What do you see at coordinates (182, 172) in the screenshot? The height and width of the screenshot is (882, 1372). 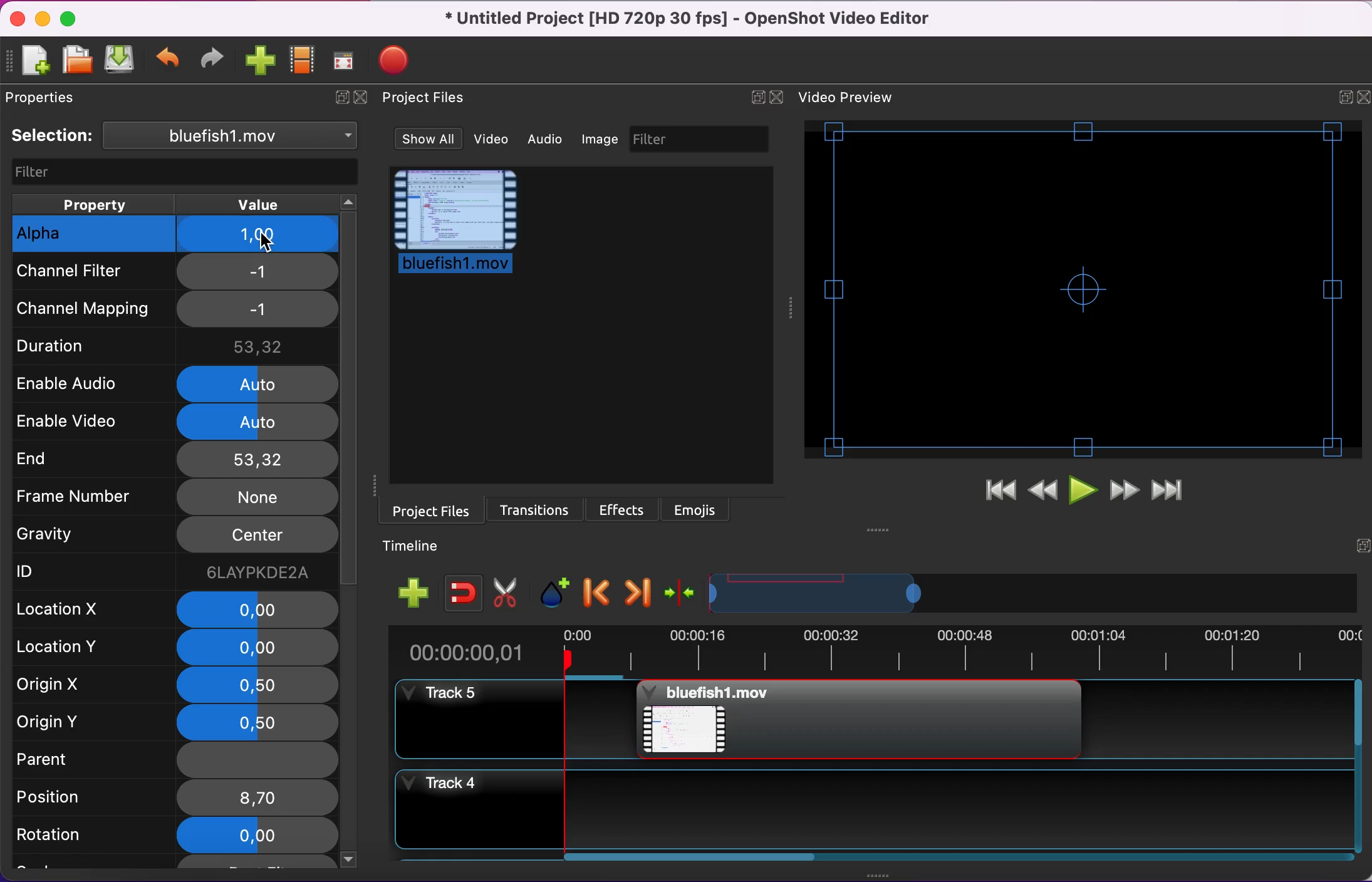 I see `filter` at bounding box center [182, 172].